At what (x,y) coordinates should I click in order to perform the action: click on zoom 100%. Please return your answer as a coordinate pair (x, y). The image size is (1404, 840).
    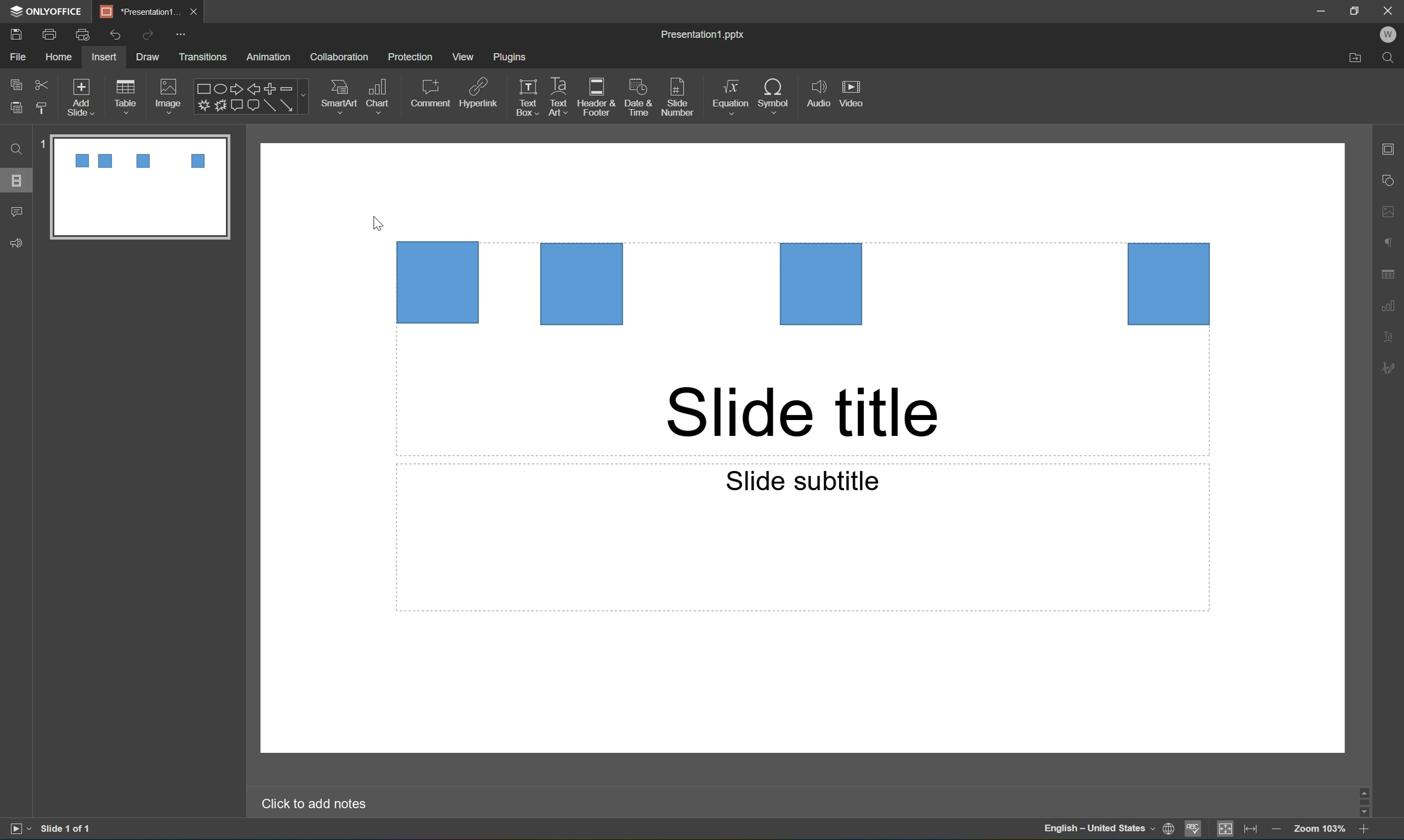
    Looking at the image, I should click on (1321, 830).